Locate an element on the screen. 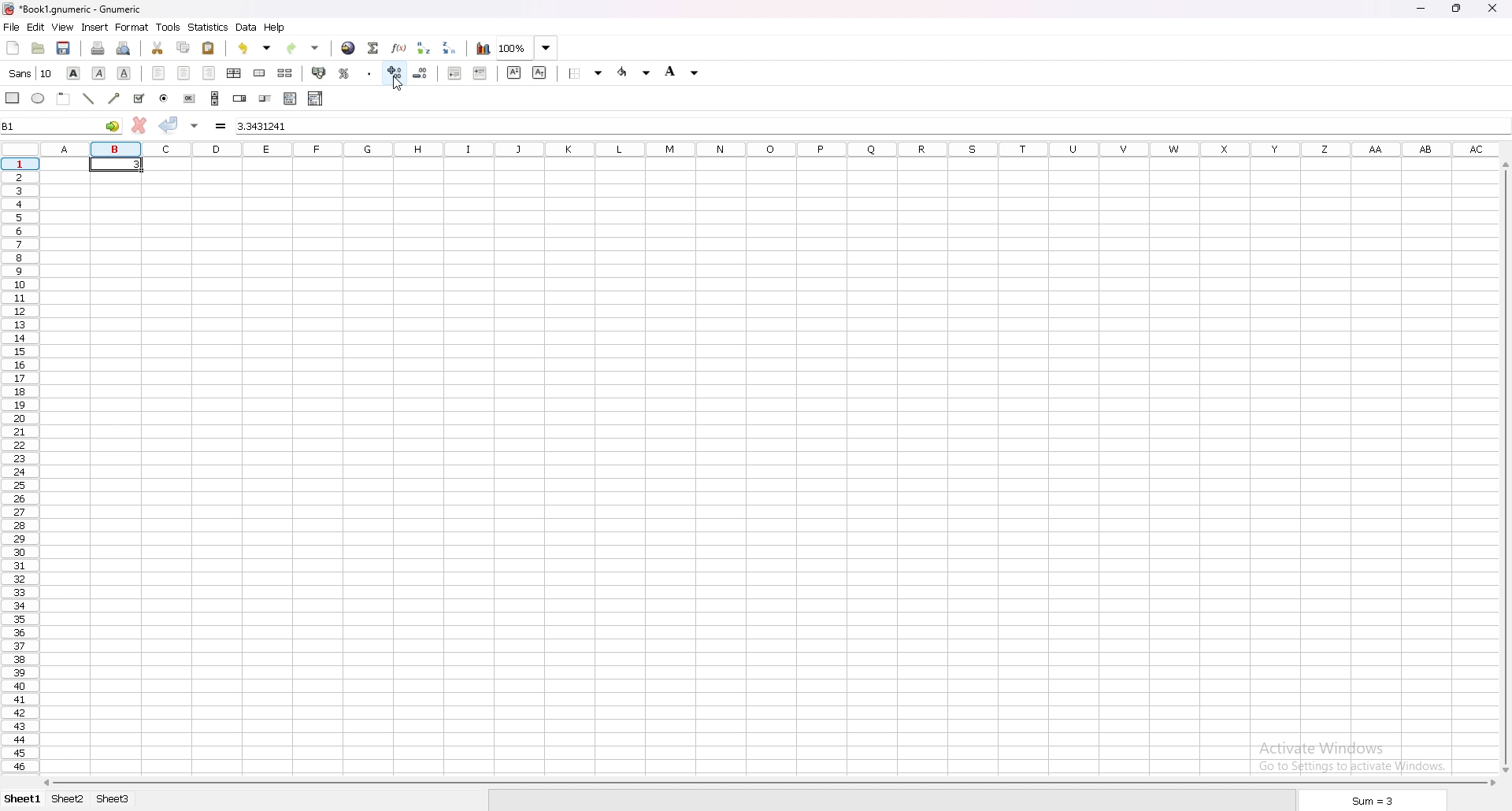 The width and height of the screenshot is (1512, 811). font is located at coordinates (30, 72).